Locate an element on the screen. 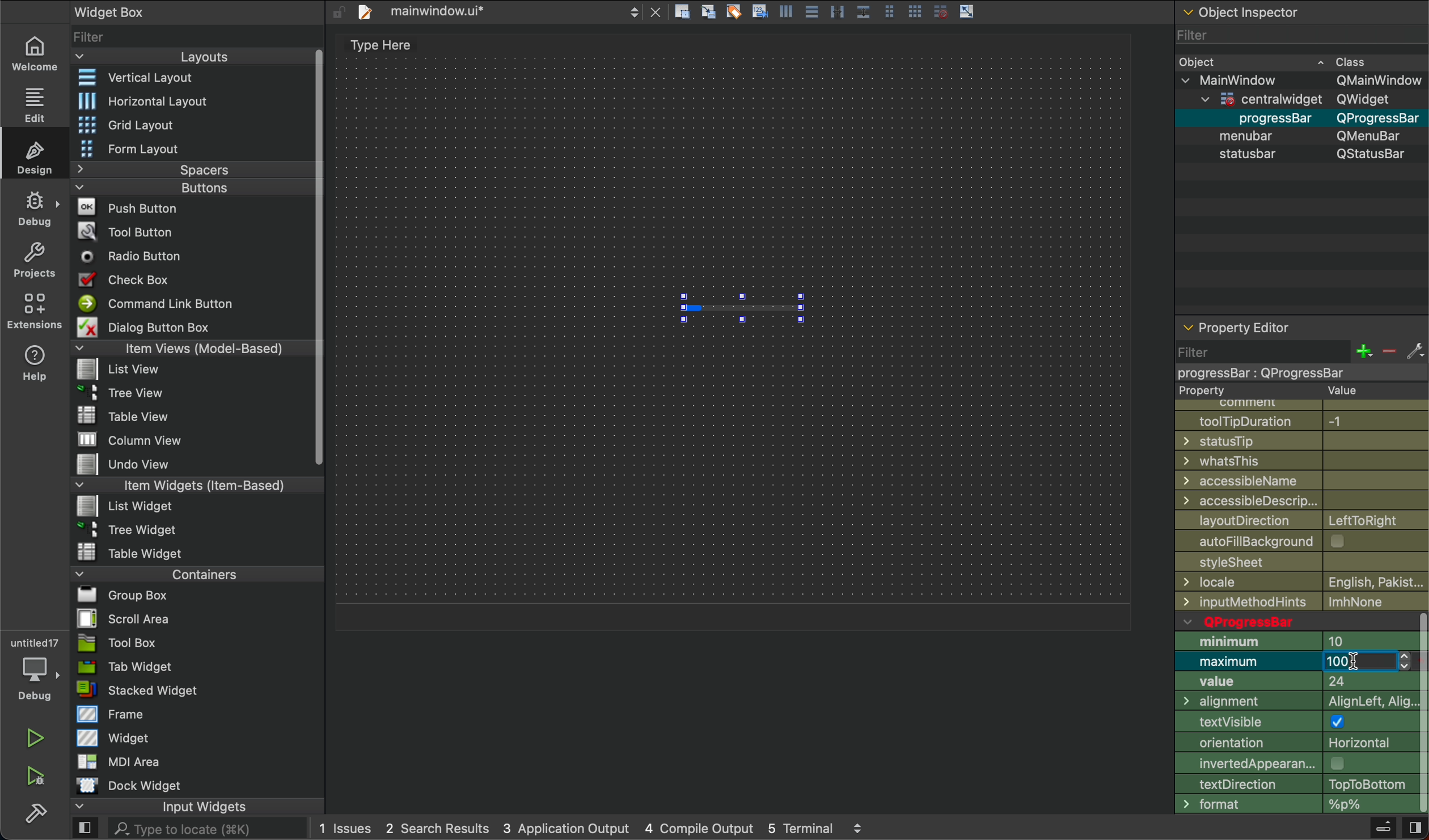 The width and height of the screenshot is (1429, 840). extension is located at coordinates (35, 310).